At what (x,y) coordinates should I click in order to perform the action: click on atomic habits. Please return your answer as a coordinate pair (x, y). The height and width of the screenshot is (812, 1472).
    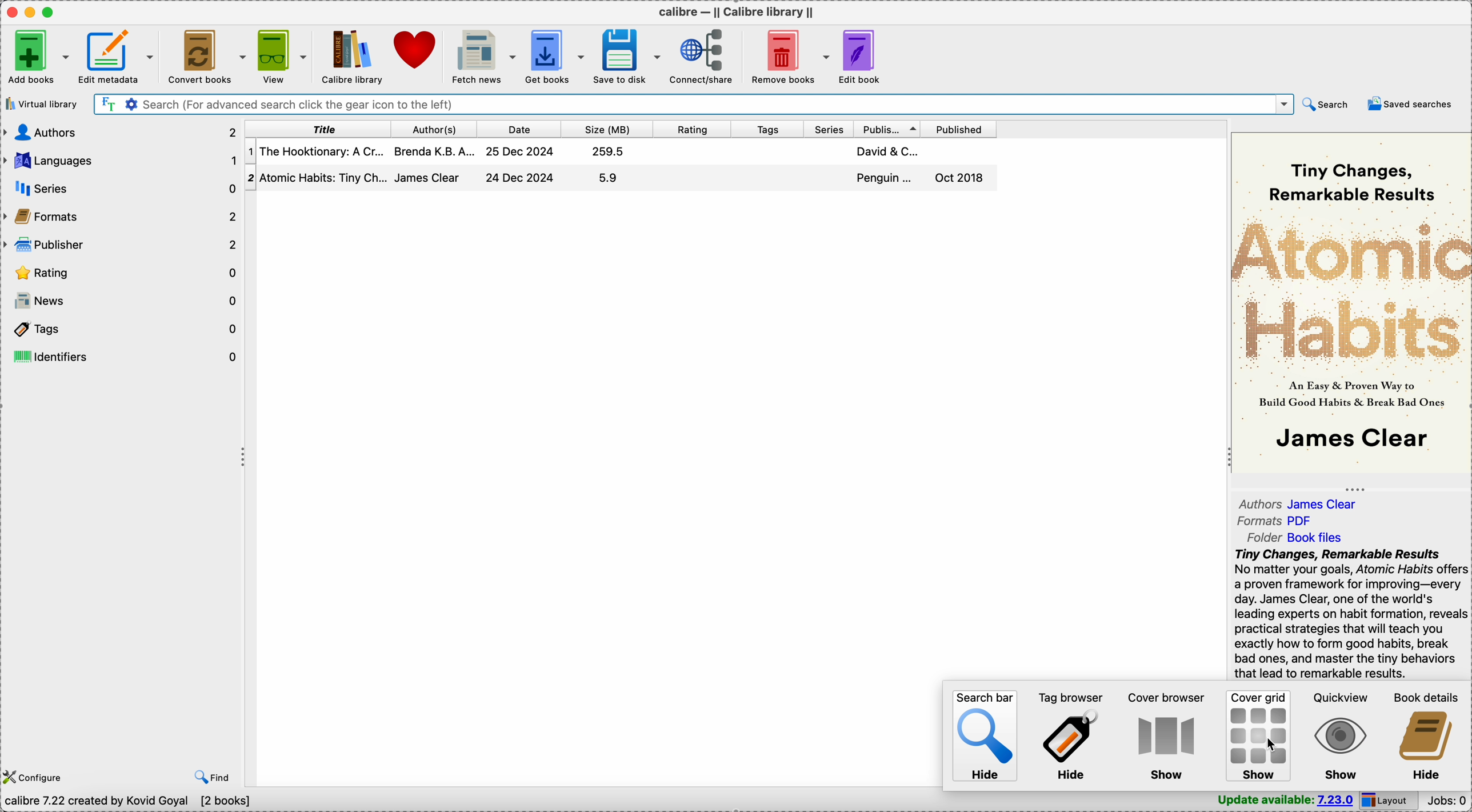
    Looking at the image, I should click on (1351, 291).